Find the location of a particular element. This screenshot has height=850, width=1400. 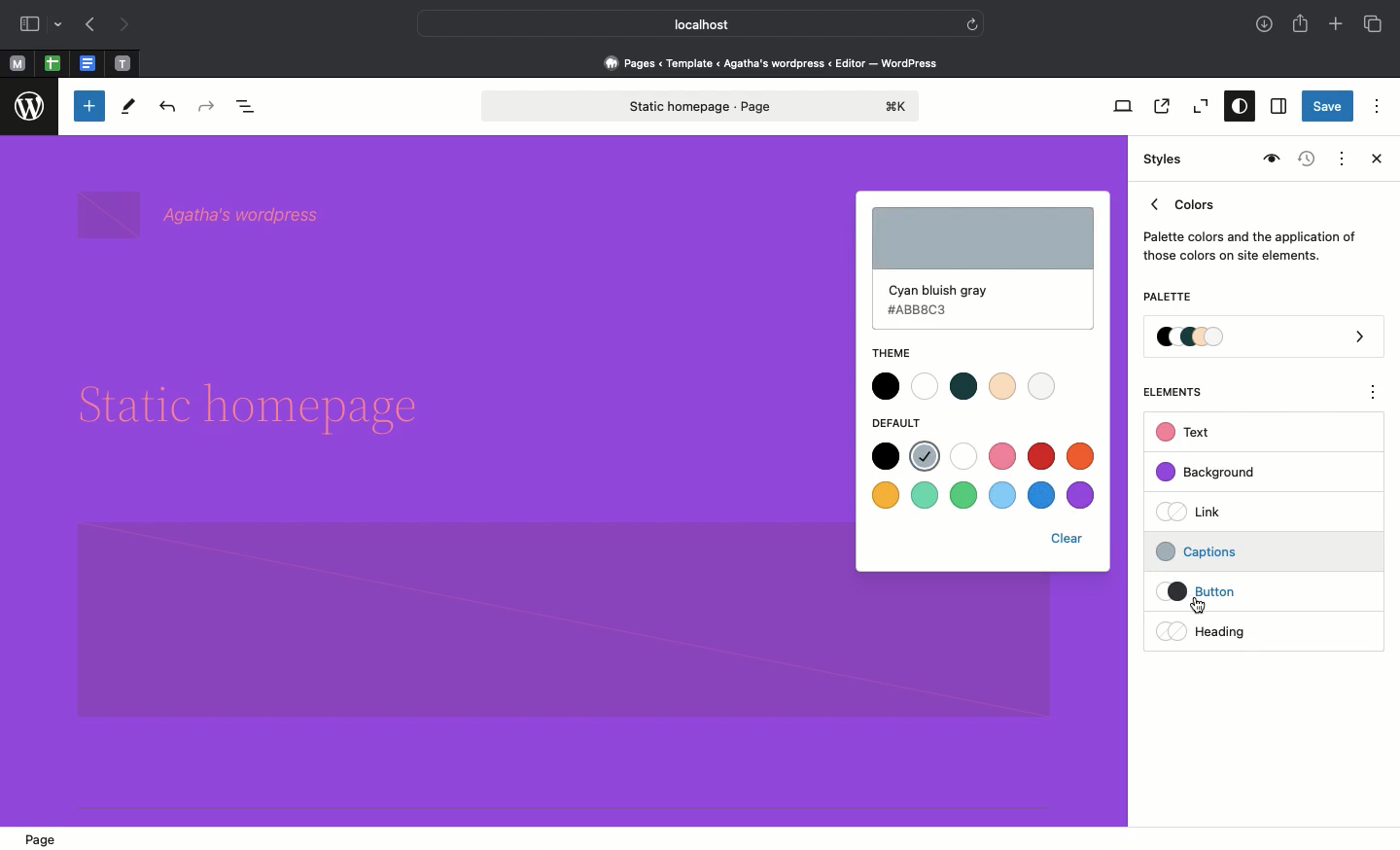

Background is located at coordinates (1215, 473).